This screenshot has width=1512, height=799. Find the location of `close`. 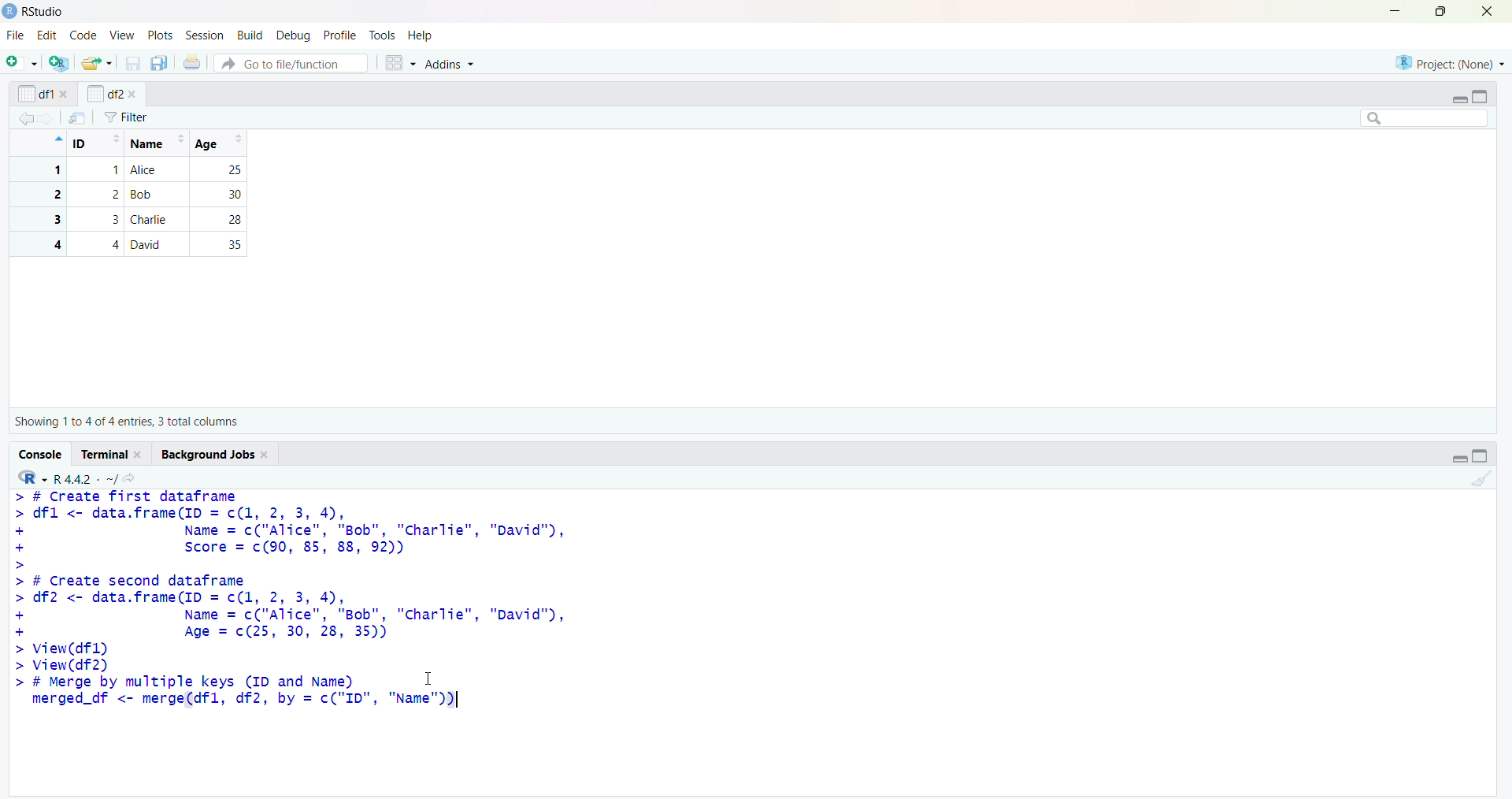

close is located at coordinates (140, 455).